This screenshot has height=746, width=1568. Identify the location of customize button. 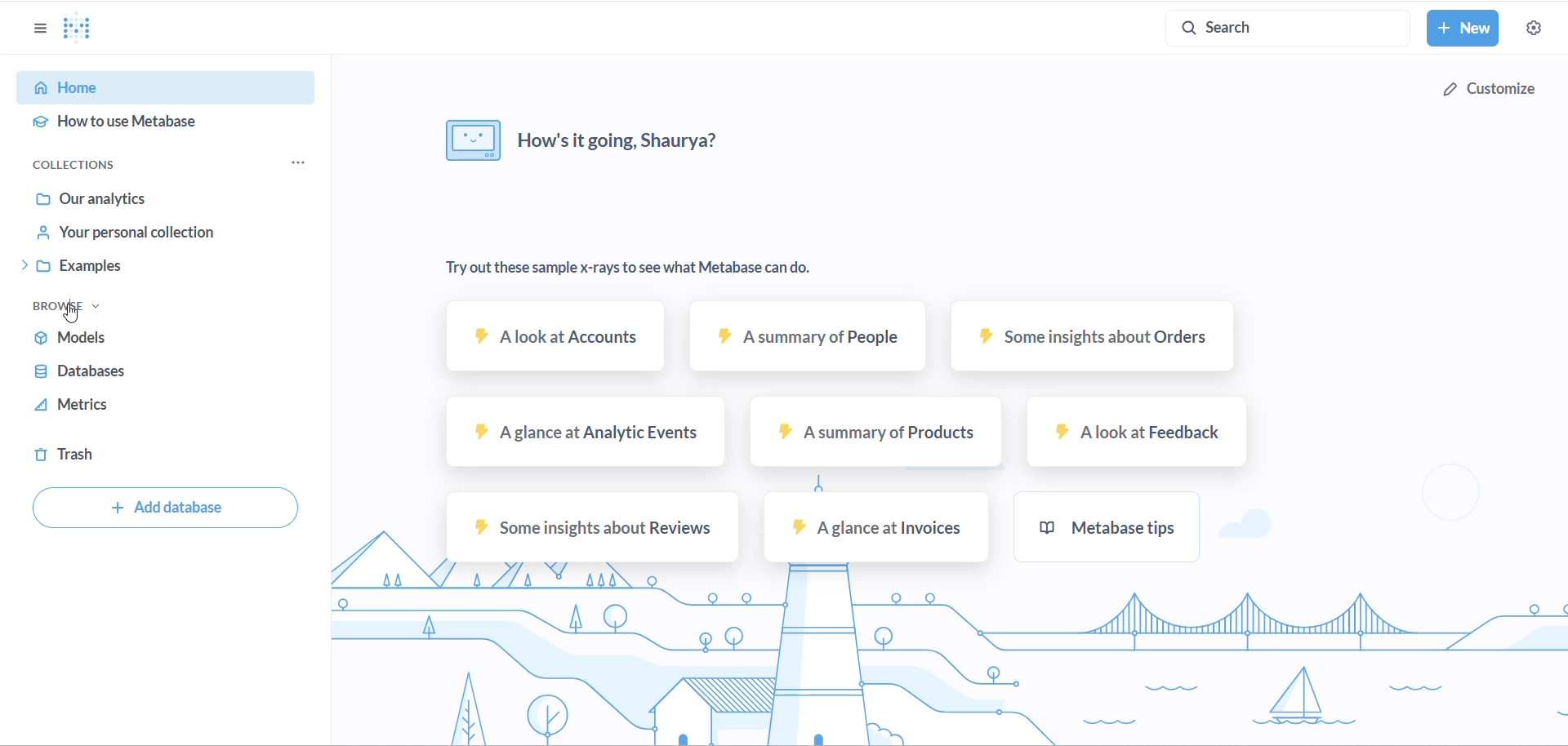
(1501, 89).